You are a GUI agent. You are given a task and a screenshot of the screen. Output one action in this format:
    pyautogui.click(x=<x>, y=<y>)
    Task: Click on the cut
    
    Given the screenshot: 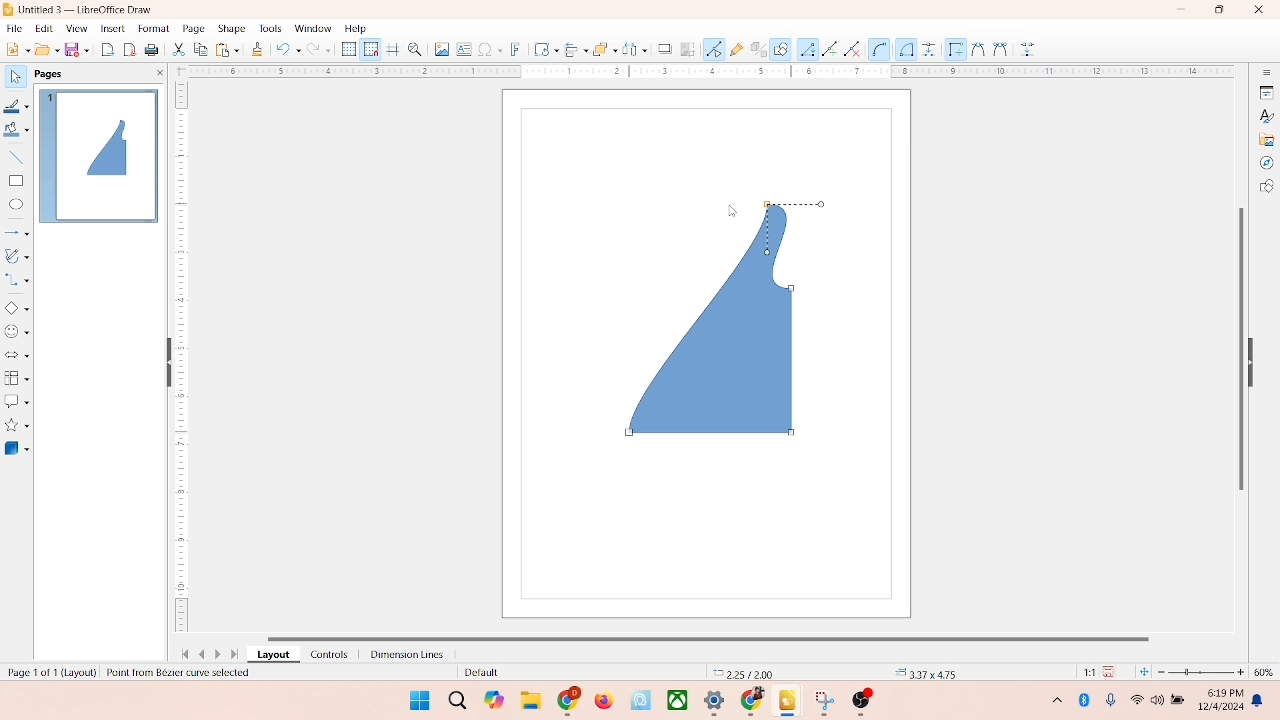 What is the action you would take?
    pyautogui.click(x=179, y=51)
    